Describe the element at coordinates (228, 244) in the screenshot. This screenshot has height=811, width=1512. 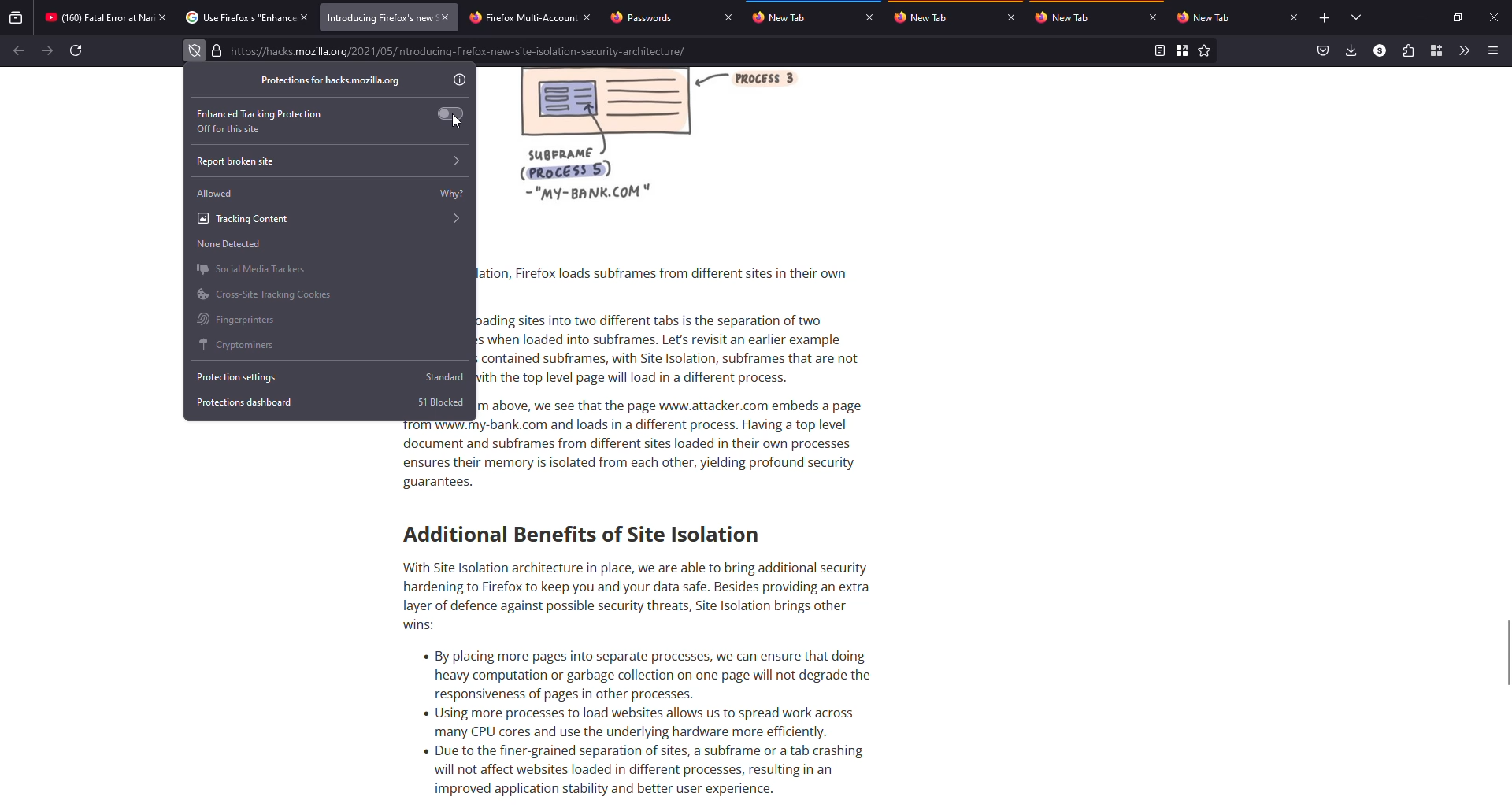
I see `none detected` at that location.